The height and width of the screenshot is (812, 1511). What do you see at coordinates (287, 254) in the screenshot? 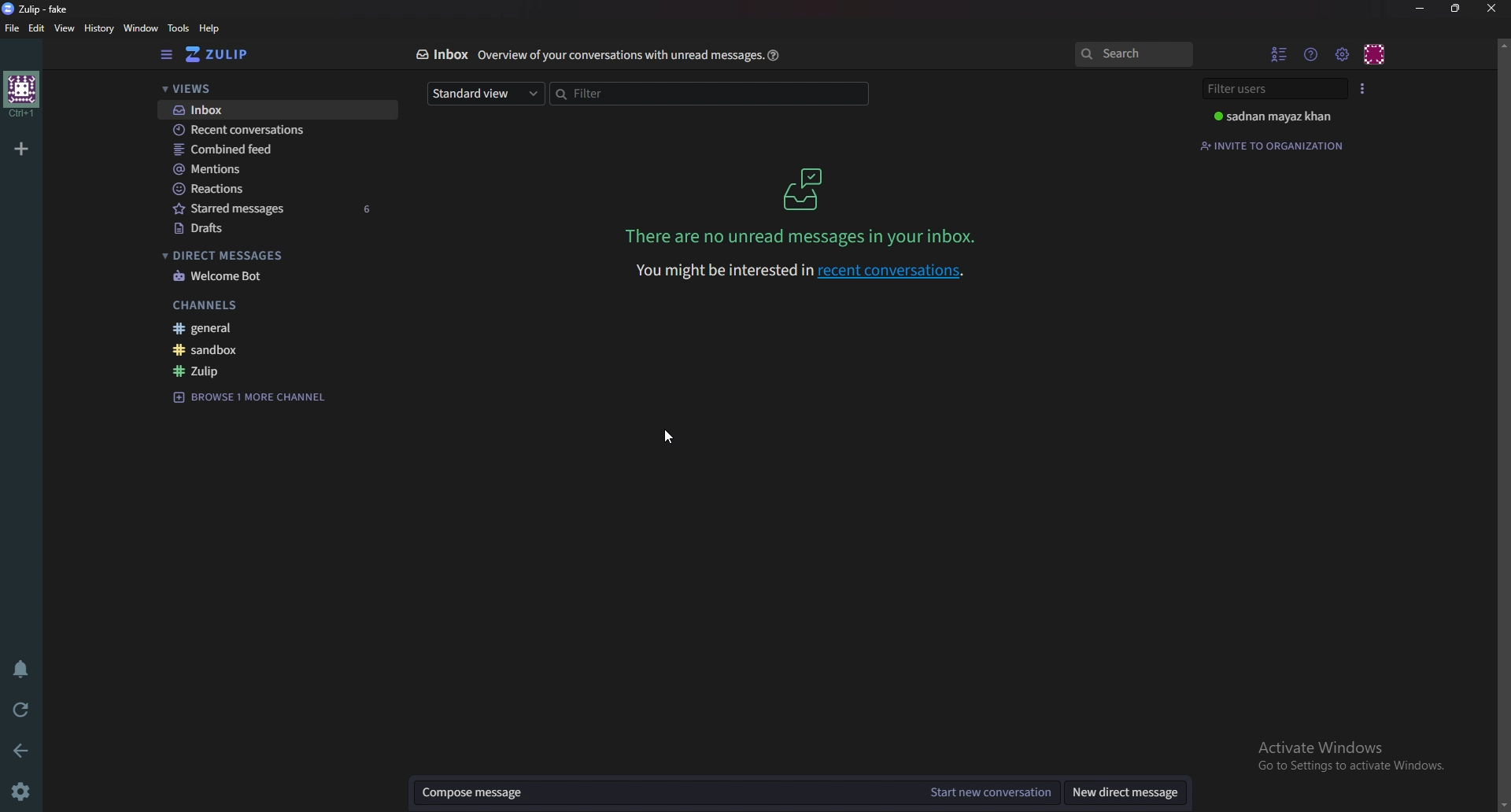
I see `Direct messages` at bounding box center [287, 254].